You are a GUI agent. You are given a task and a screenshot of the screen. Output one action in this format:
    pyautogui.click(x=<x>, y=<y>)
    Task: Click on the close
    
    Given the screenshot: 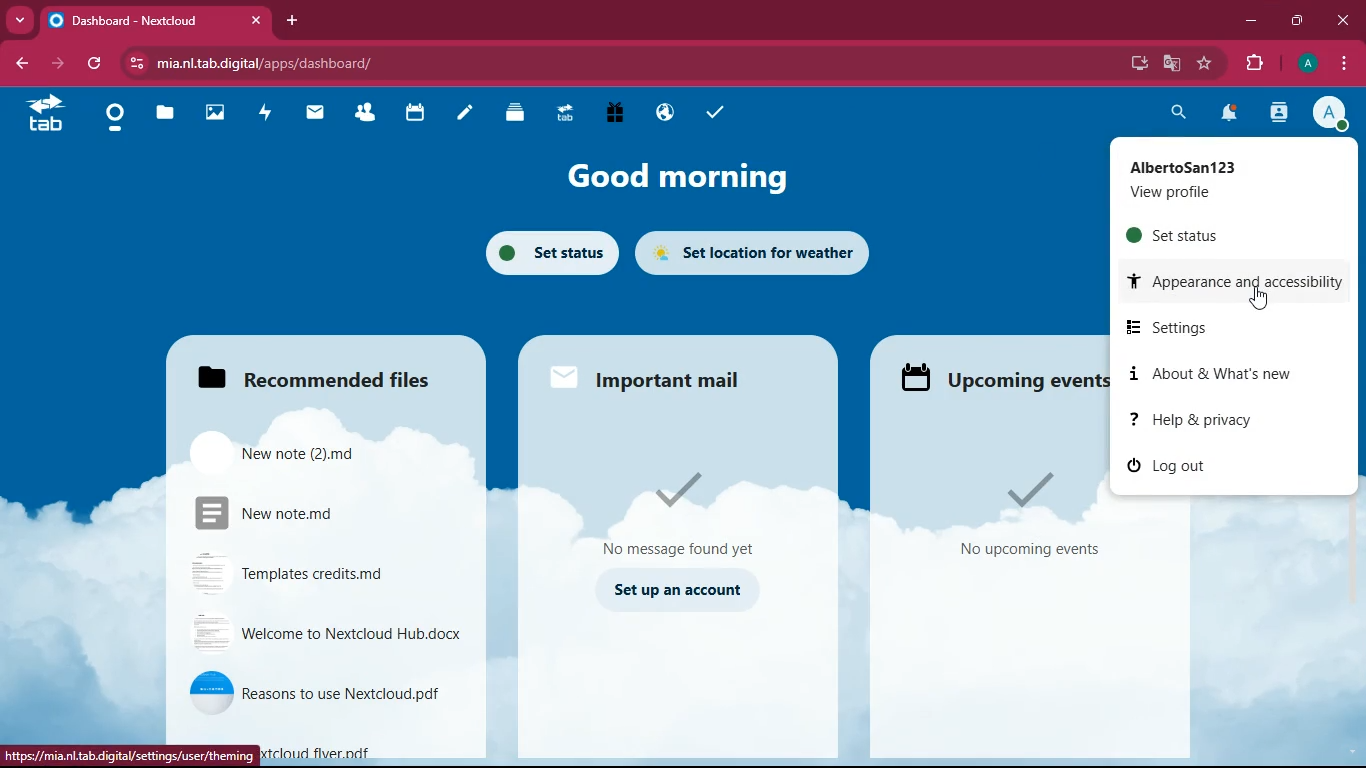 What is the action you would take?
    pyautogui.click(x=1341, y=20)
    